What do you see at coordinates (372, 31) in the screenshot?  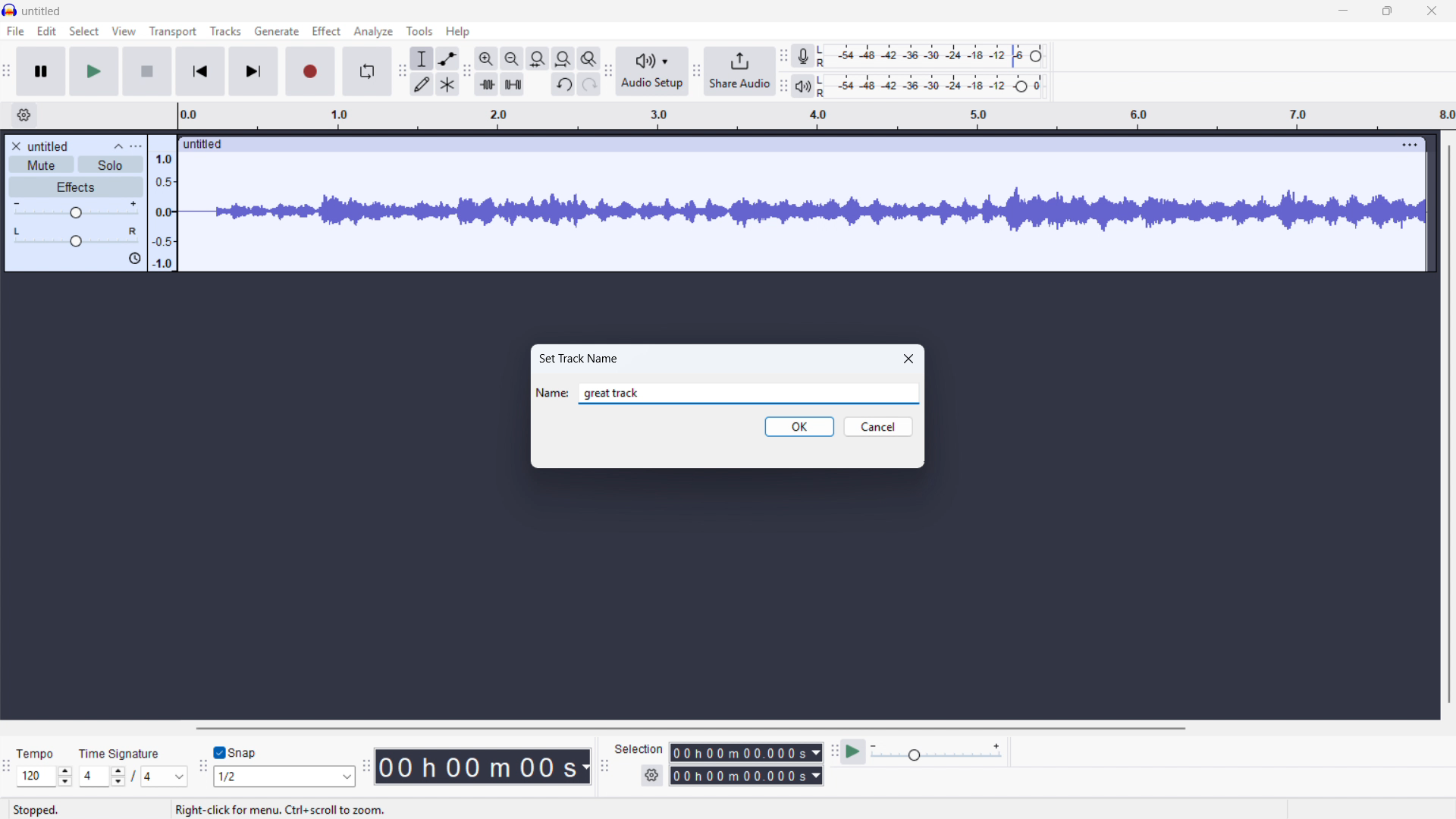 I see `Analyse ` at bounding box center [372, 31].